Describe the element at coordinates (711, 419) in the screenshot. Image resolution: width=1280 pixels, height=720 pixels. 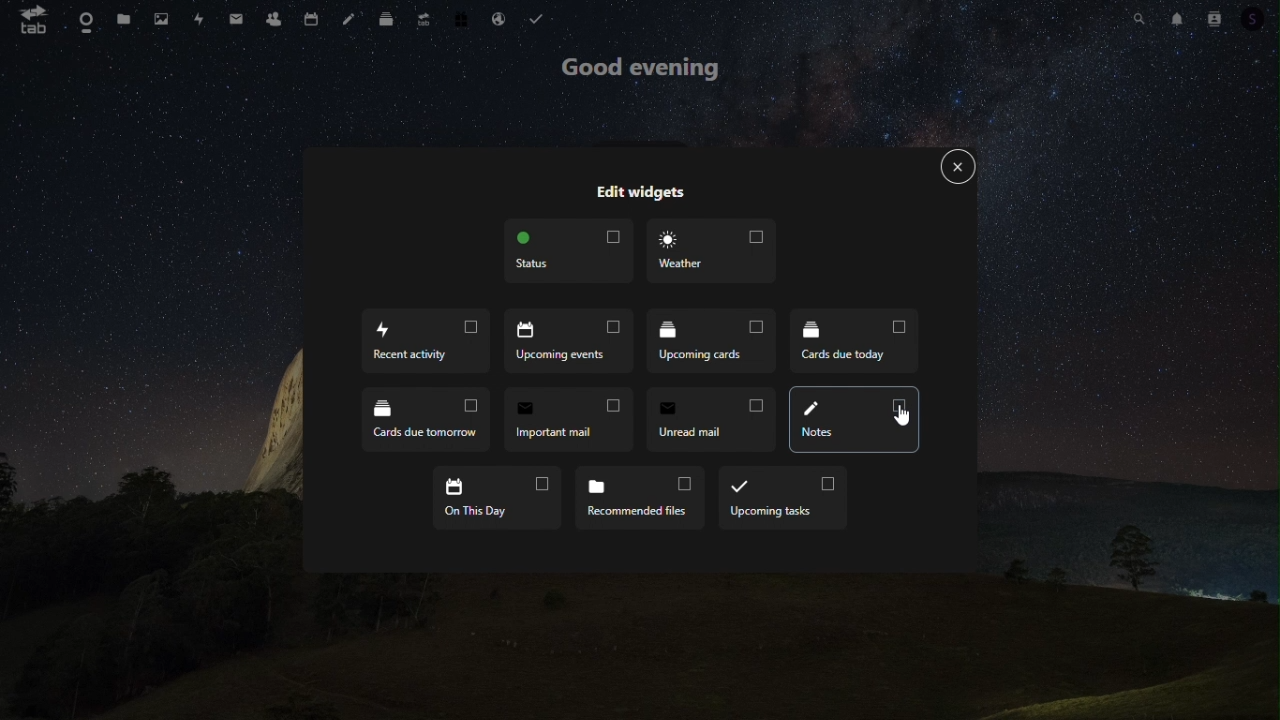
I see `unread email ` at that location.